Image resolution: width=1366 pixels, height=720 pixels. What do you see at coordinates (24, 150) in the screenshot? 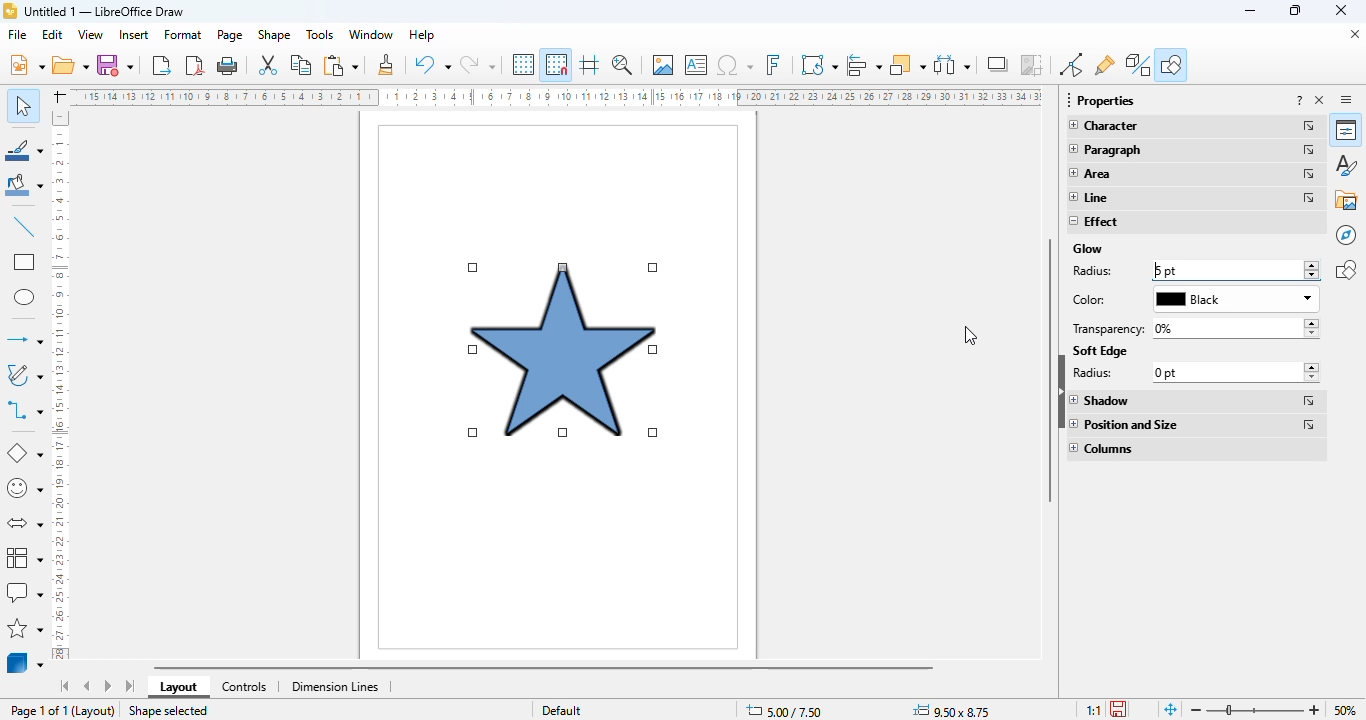
I see `line color` at bounding box center [24, 150].